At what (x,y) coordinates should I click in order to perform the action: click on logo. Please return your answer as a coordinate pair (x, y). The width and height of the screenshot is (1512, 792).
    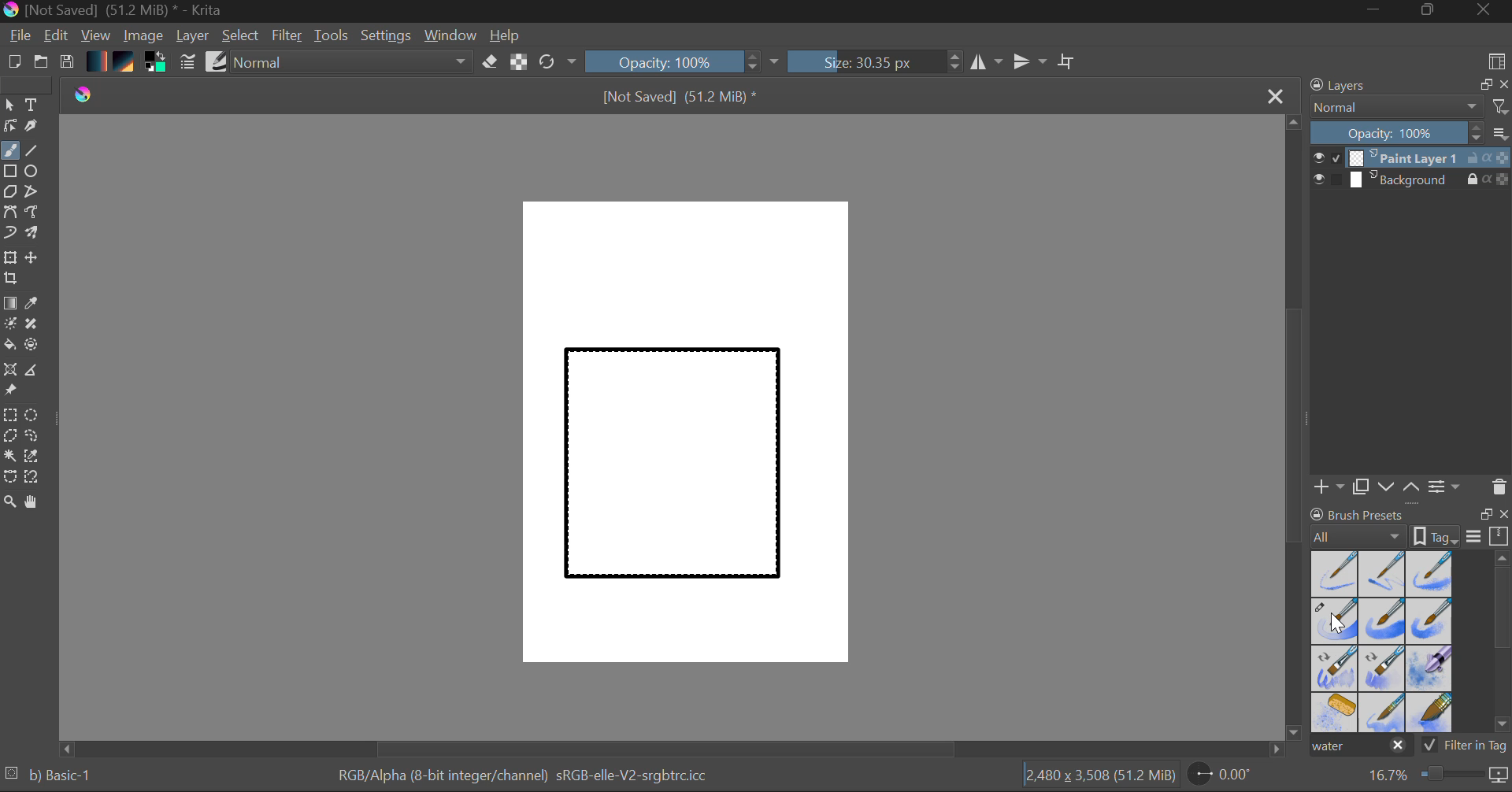
    Looking at the image, I should click on (94, 94).